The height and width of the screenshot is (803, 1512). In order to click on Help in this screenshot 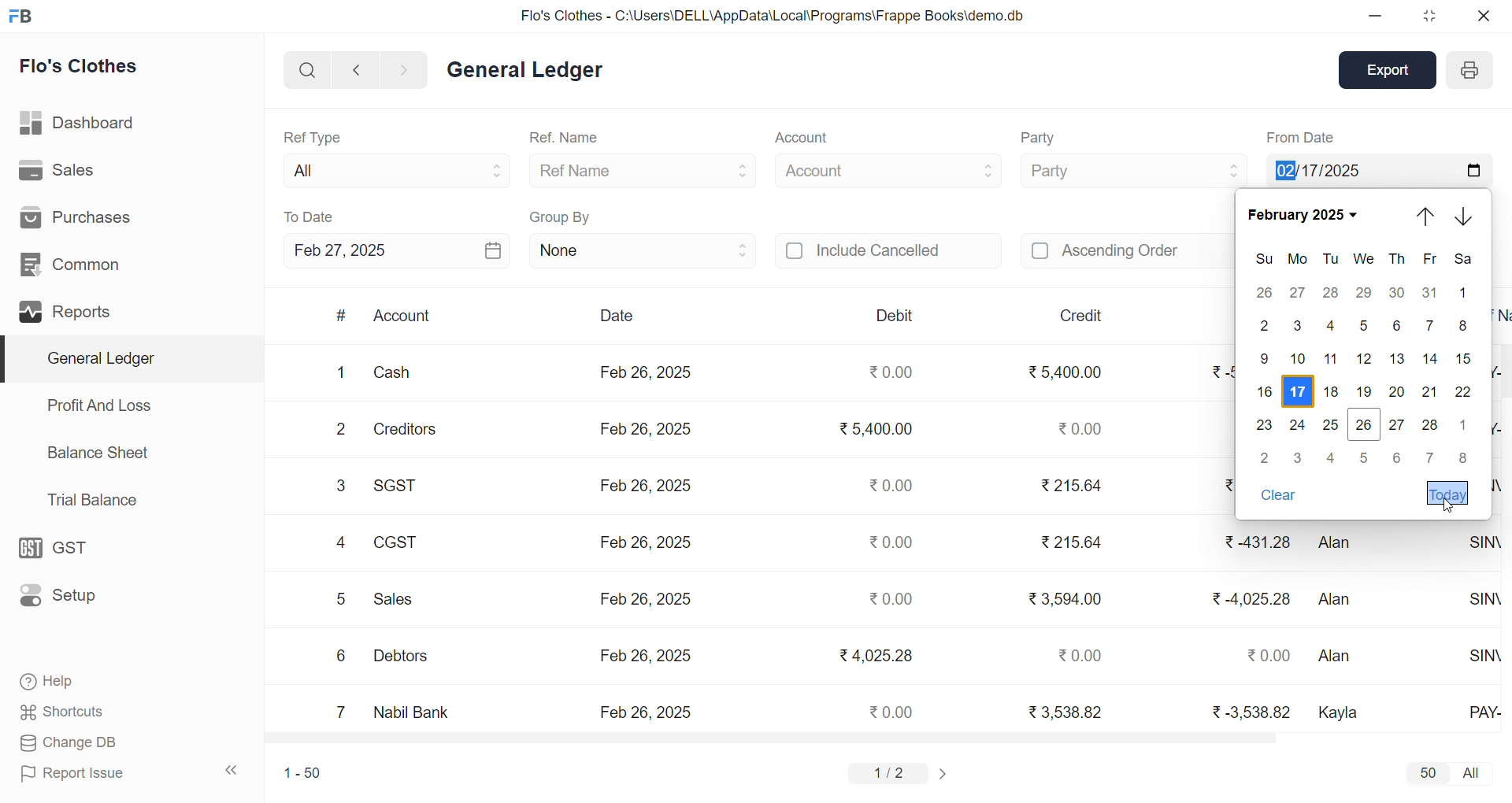, I will do `click(53, 683)`.